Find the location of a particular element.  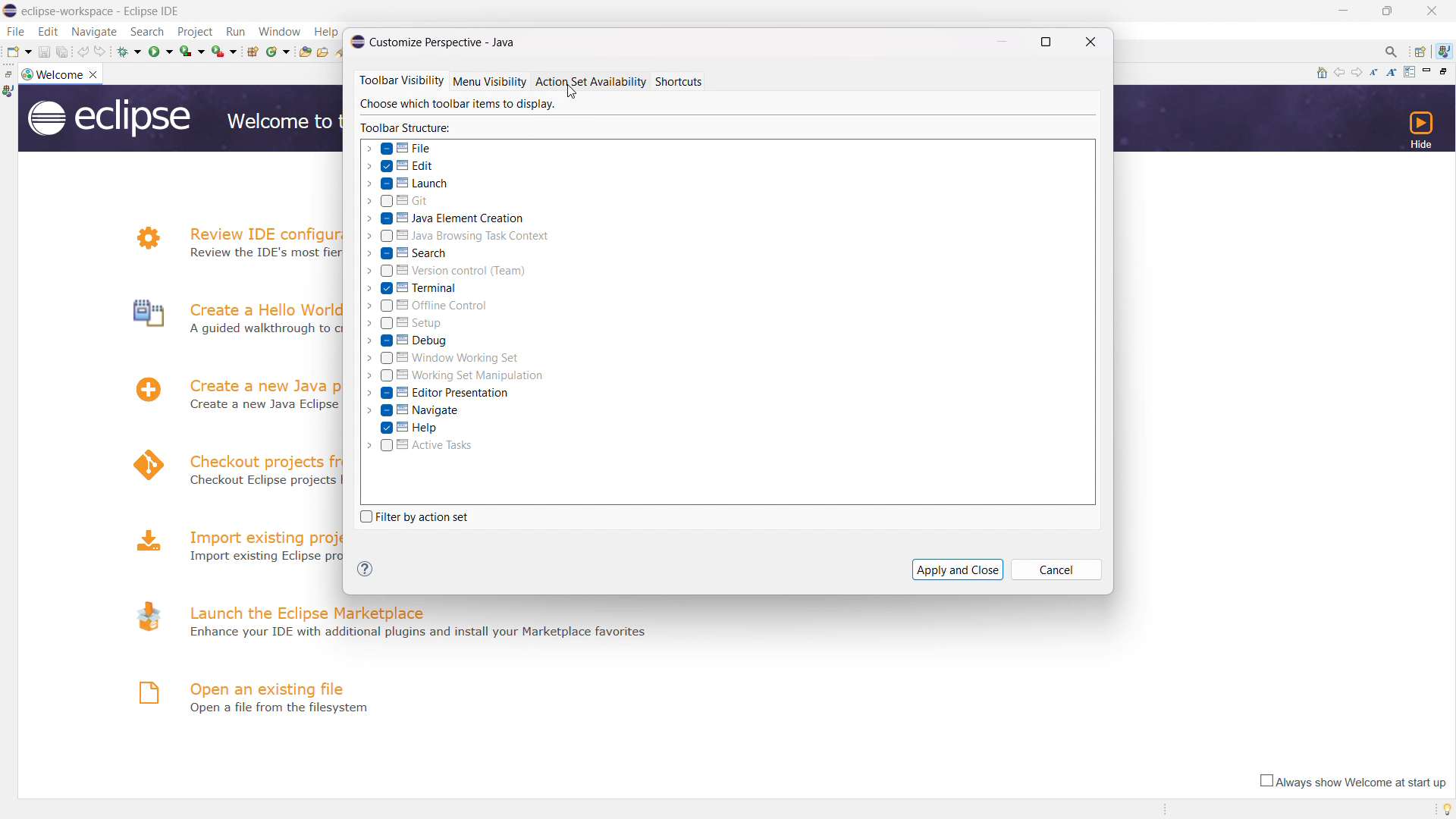

project is located at coordinates (196, 31).